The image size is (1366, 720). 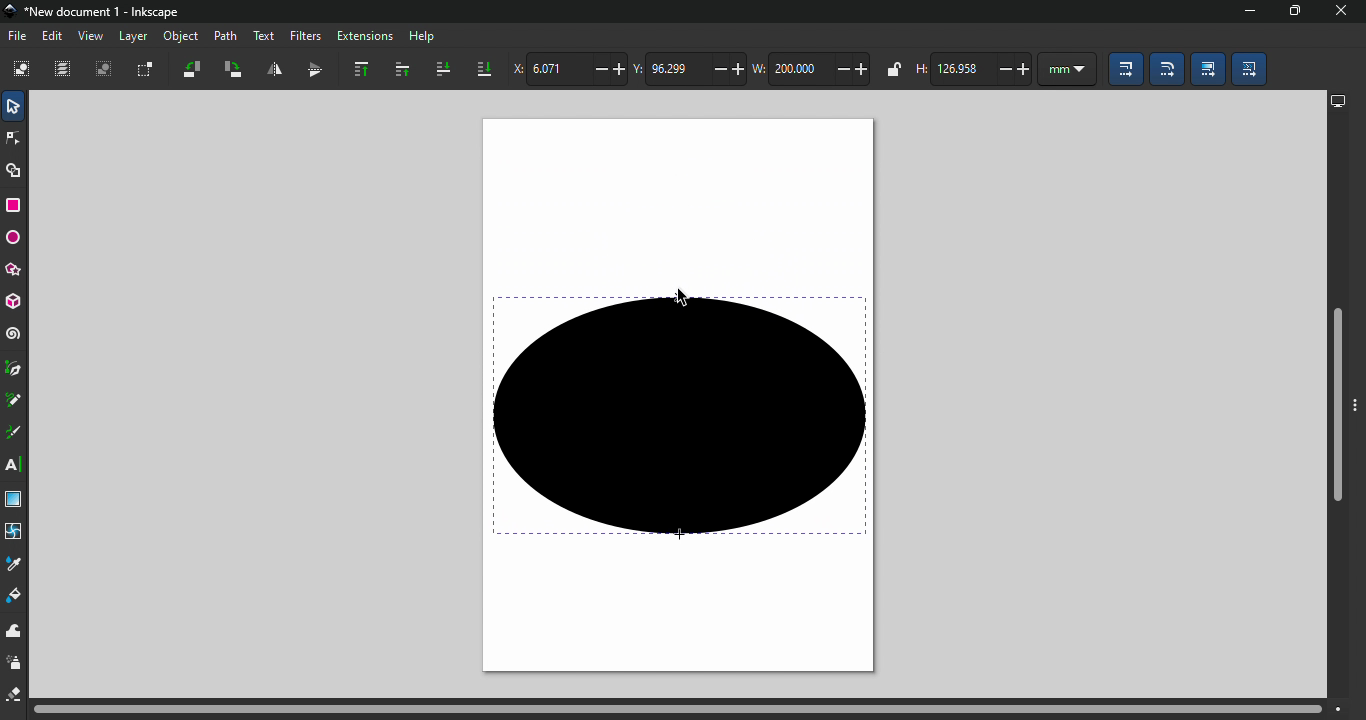 I want to click on Object rotate 90 clockwise, so click(x=236, y=72).